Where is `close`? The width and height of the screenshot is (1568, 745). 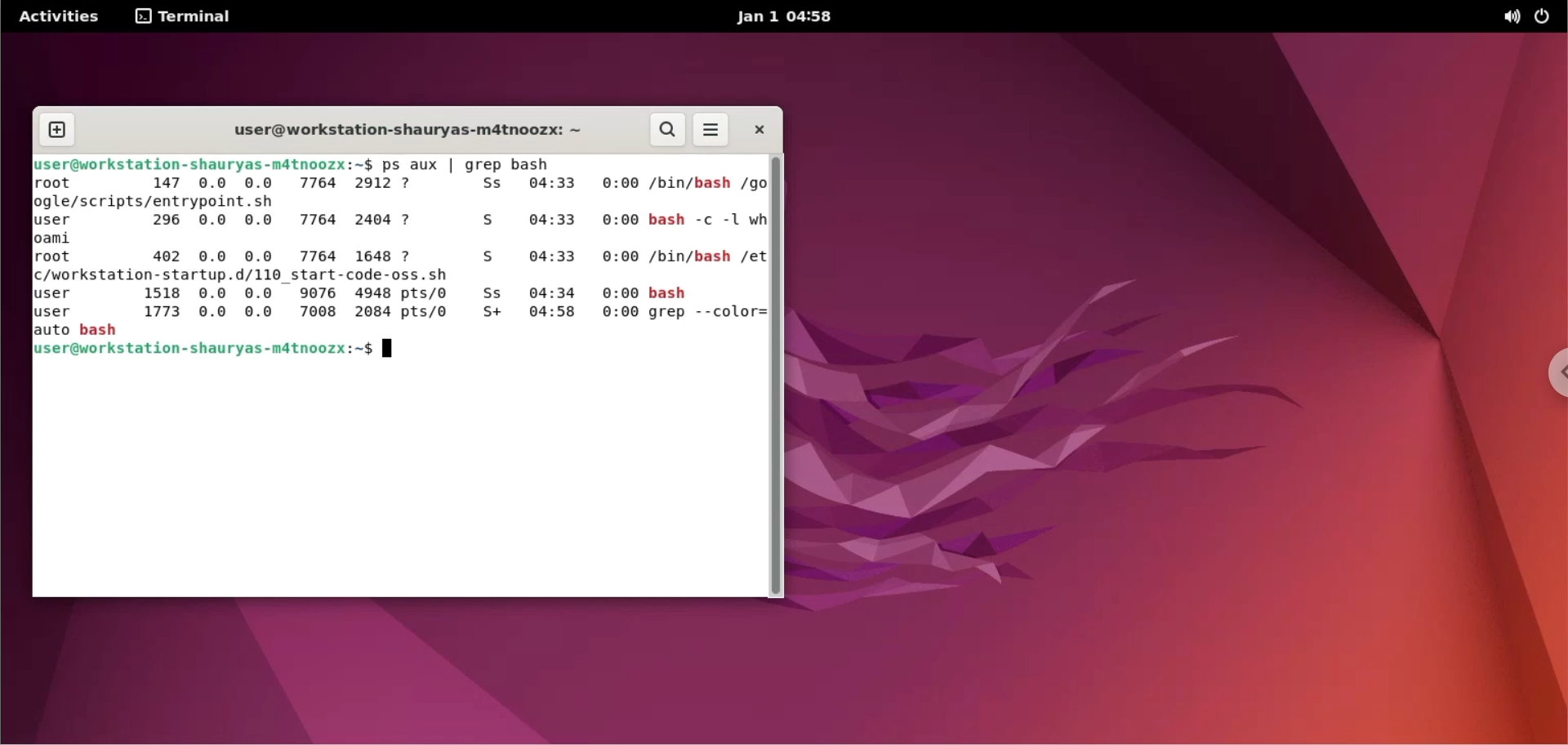 close is located at coordinates (758, 131).